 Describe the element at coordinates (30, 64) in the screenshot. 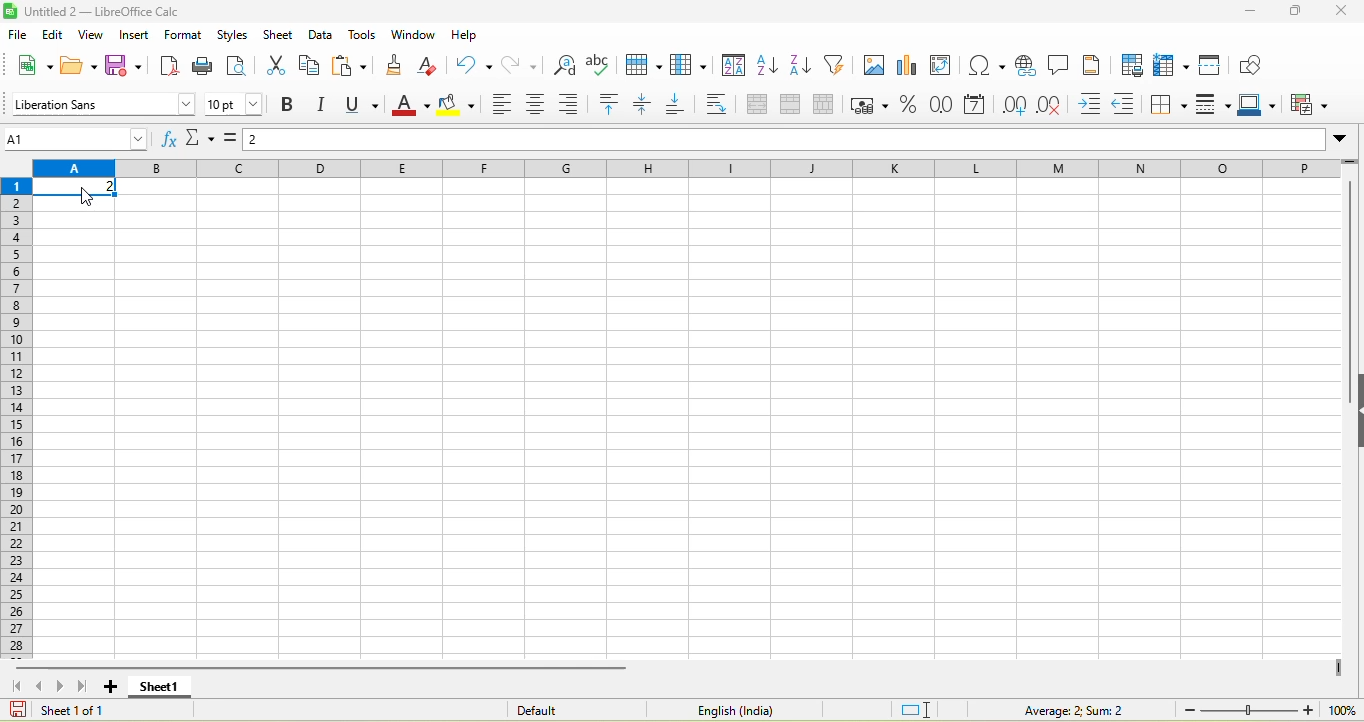

I see `new` at that location.